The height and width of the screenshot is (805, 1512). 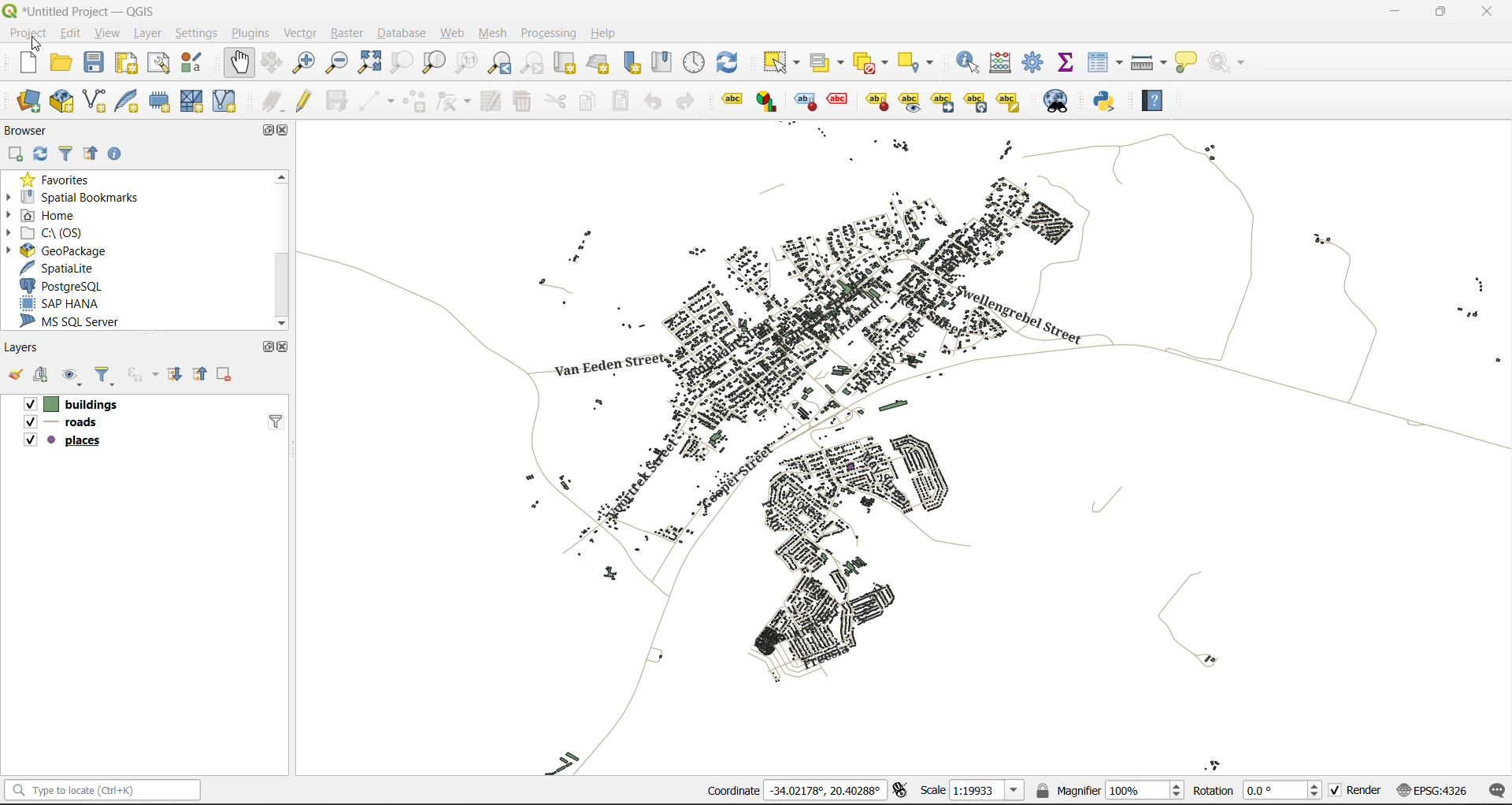 I want to click on zoom in, so click(x=303, y=61).